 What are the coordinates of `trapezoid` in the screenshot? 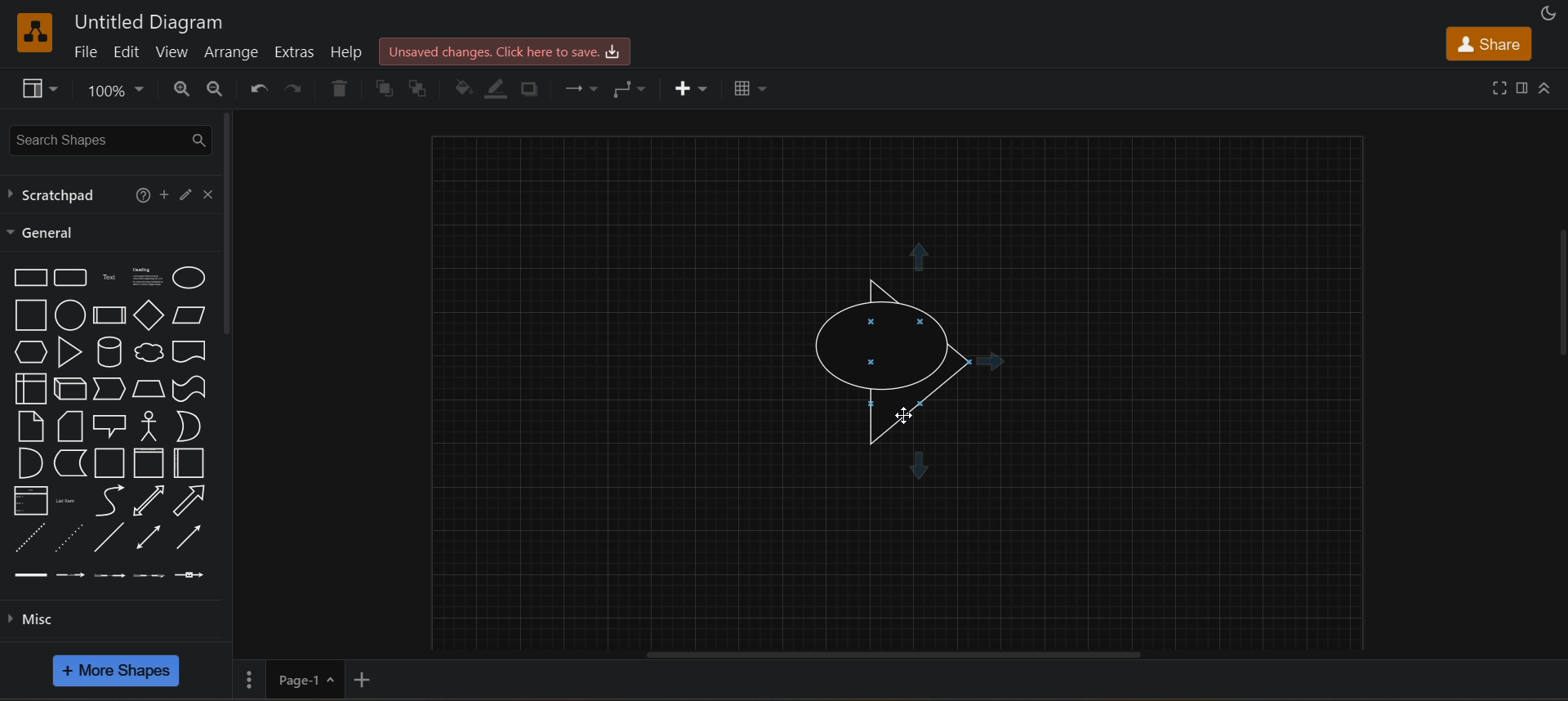 It's located at (149, 388).